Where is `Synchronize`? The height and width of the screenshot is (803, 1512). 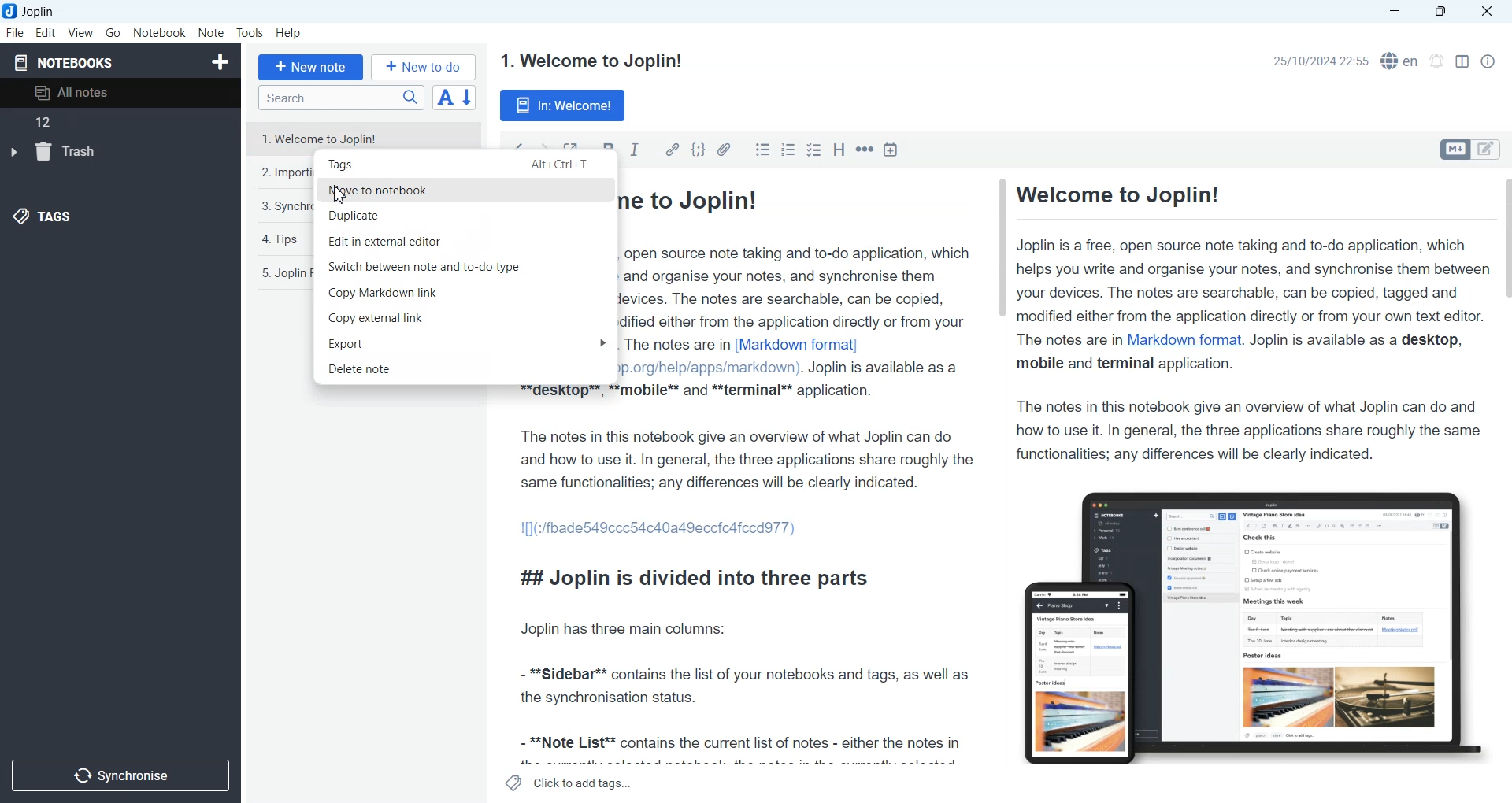
Synchronize is located at coordinates (120, 774).